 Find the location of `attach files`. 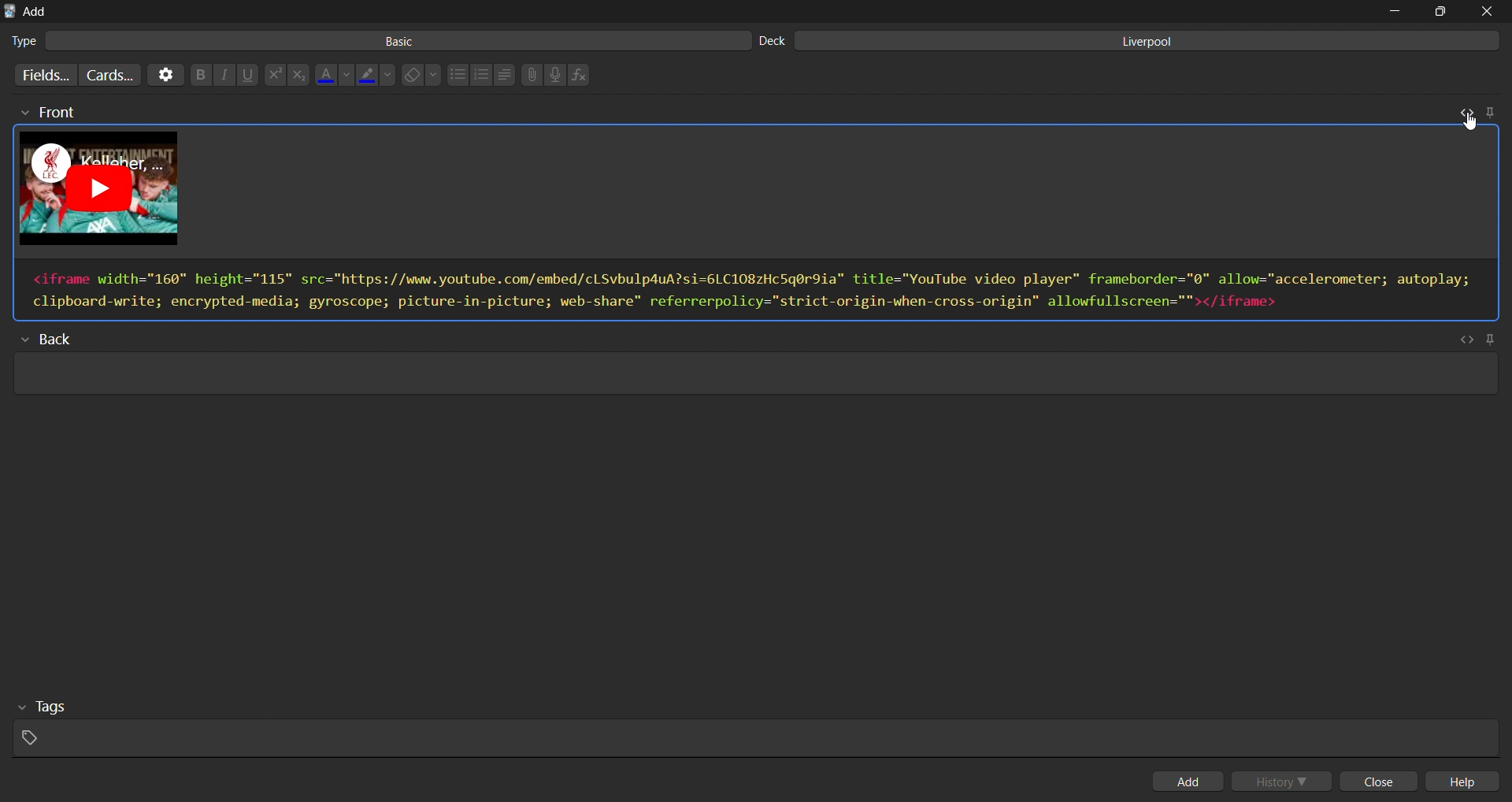

attach files is located at coordinates (531, 75).